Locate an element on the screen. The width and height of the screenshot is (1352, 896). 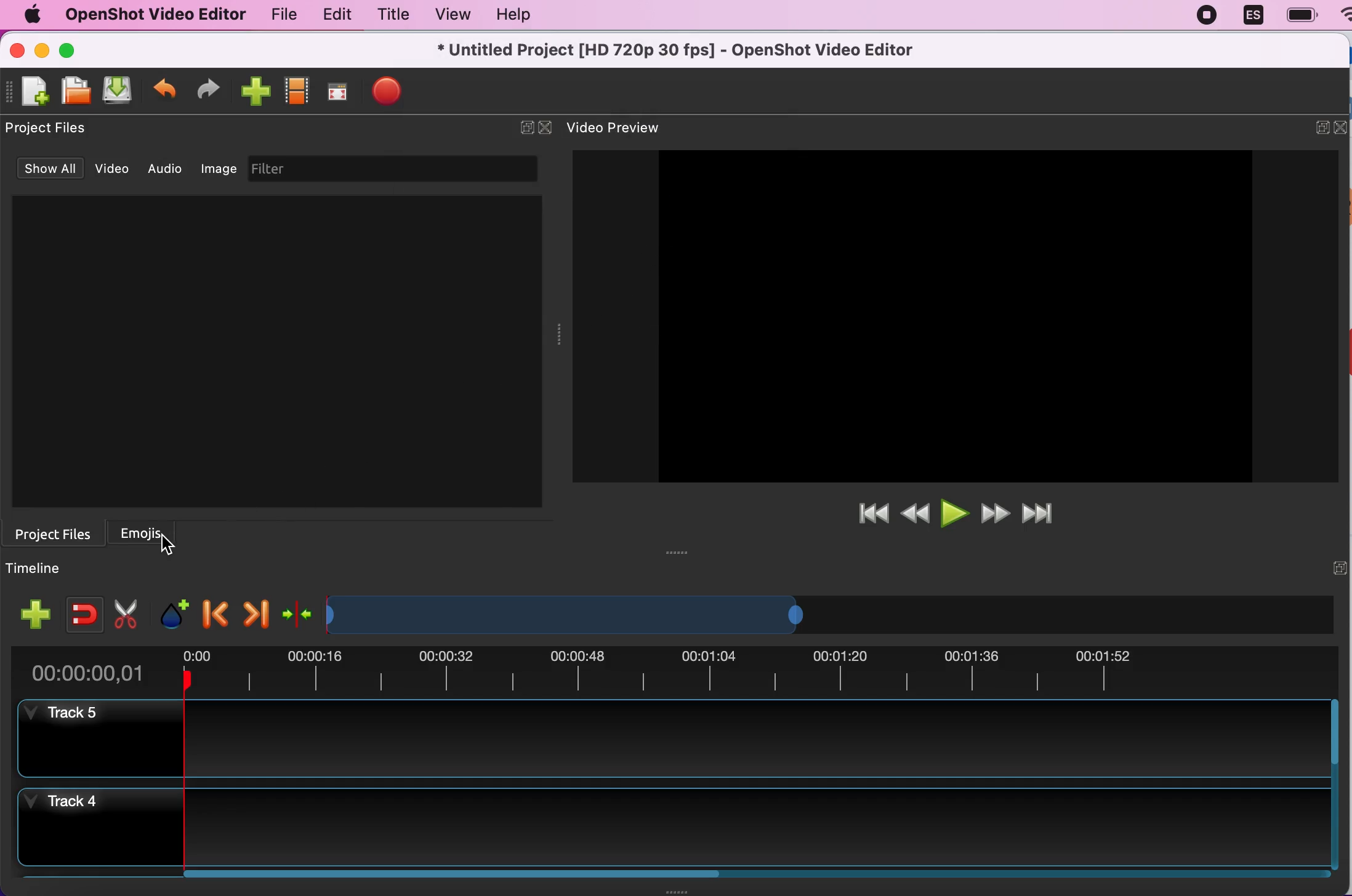
Vertical slide bar is located at coordinates (1334, 784).